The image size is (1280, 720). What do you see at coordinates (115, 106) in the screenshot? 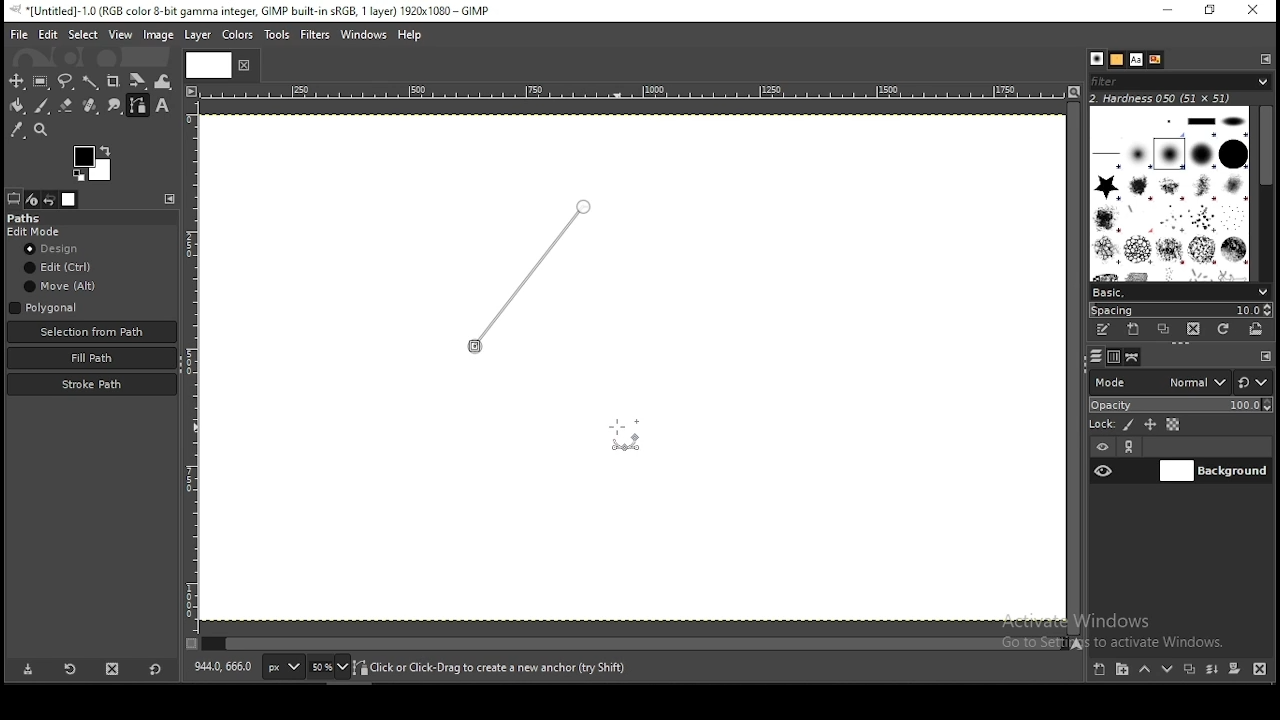
I see `smudge tool` at bounding box center [115, 106].